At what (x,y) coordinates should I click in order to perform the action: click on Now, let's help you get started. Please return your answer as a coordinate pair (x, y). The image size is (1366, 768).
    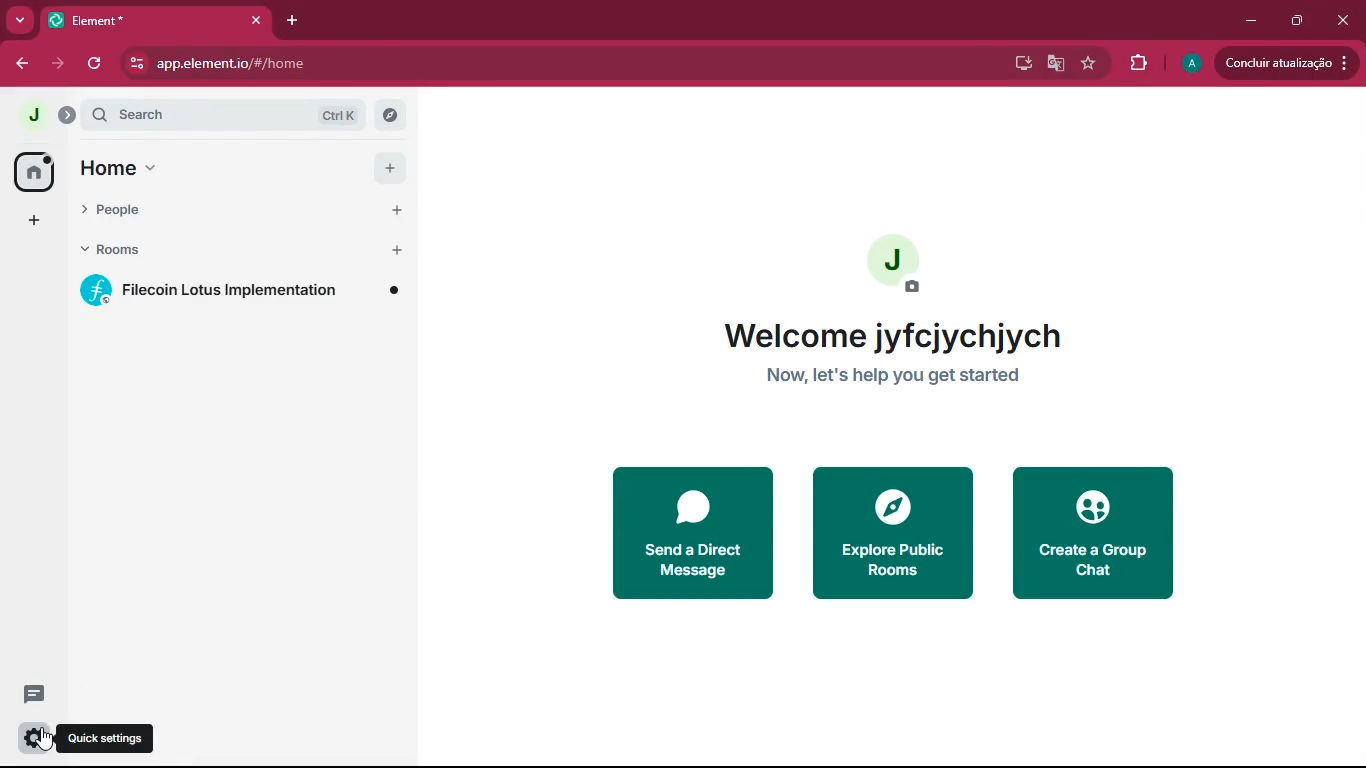
    Looking at the image, I should click on (892, 378).